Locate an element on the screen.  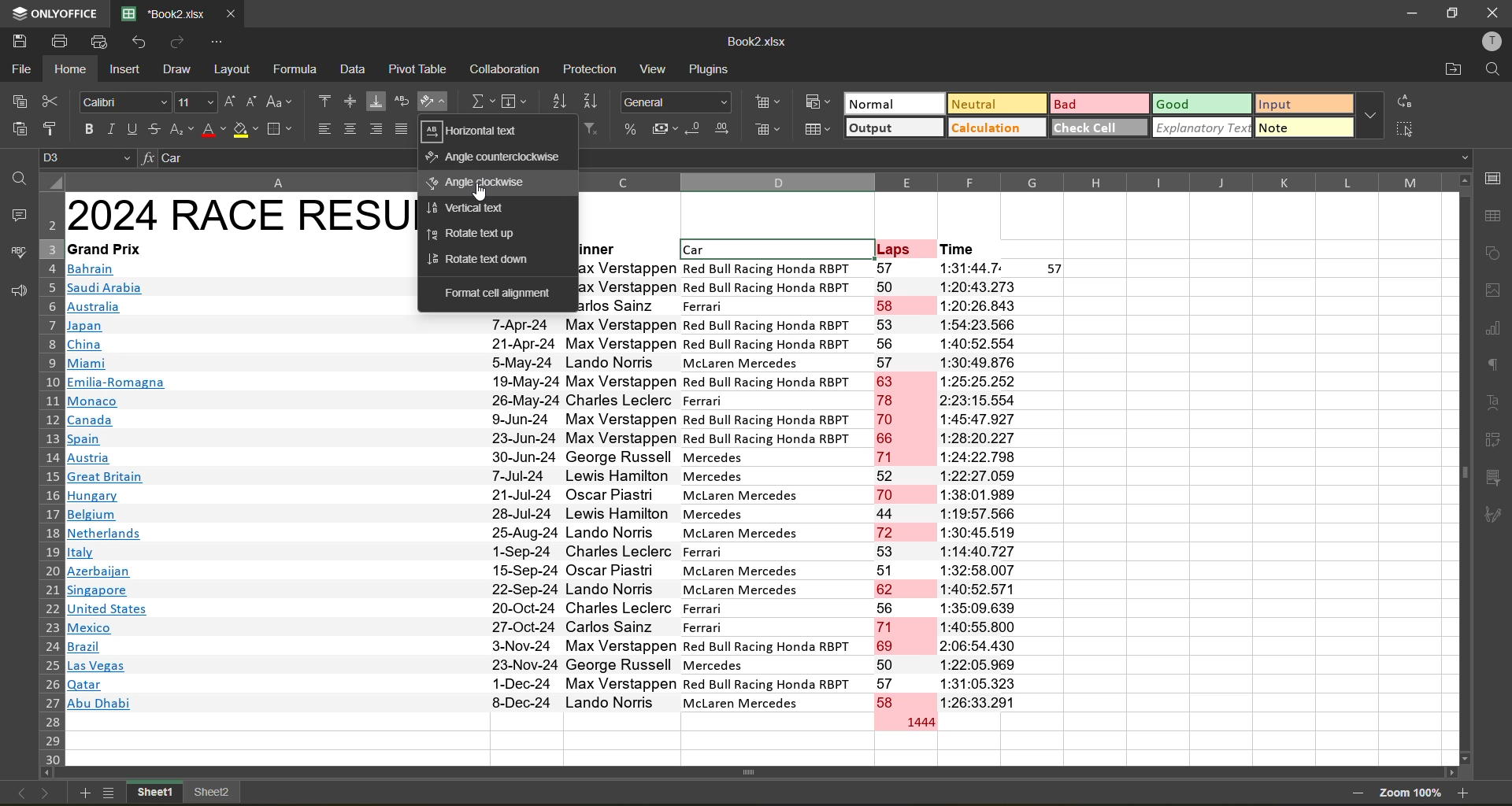
file is located at coordinates (19, 68).